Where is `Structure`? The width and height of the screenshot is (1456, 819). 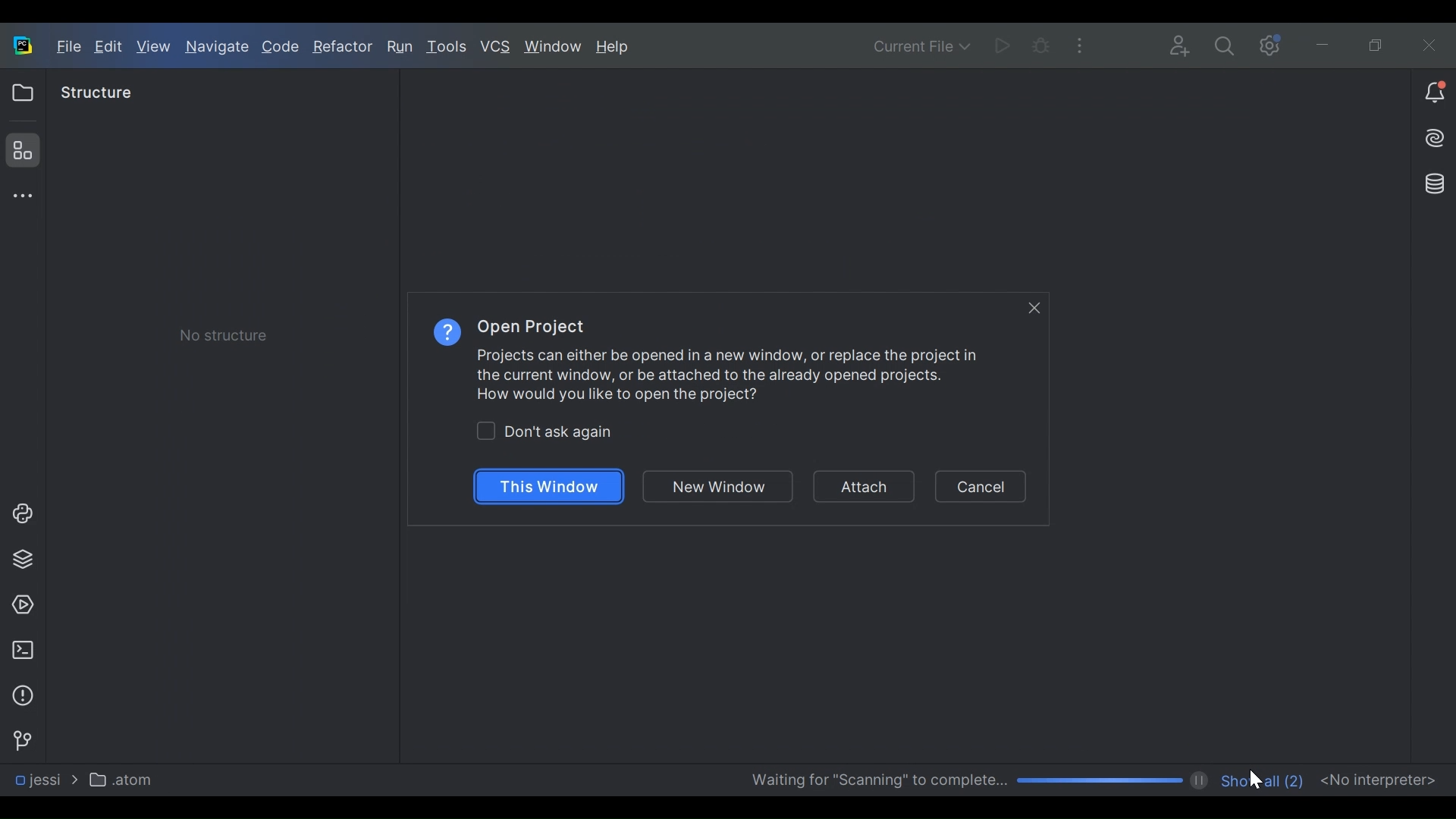 Structure is located at coordinates (20, 150).